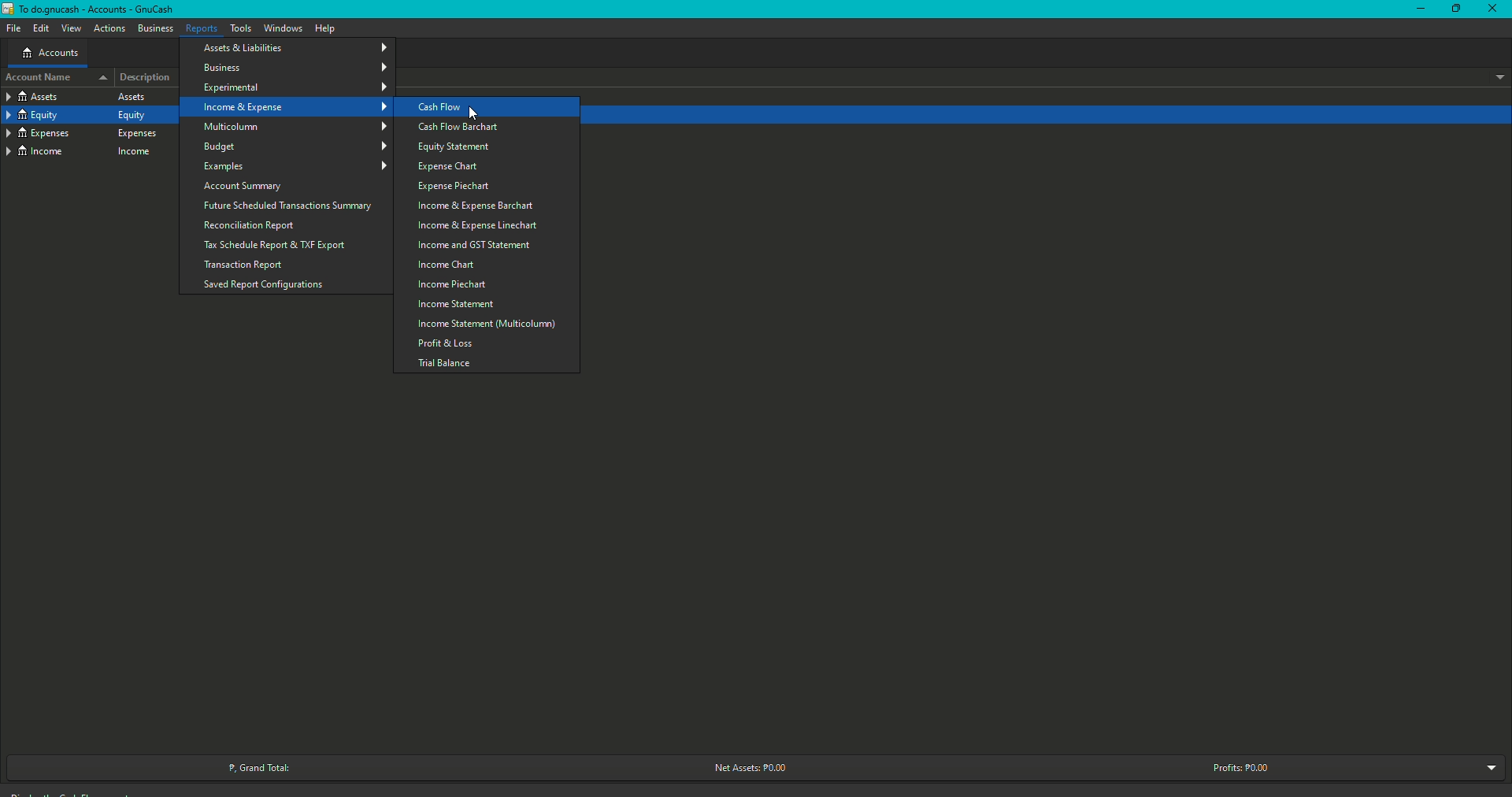  I want to click on Edit, so click(41, 28).